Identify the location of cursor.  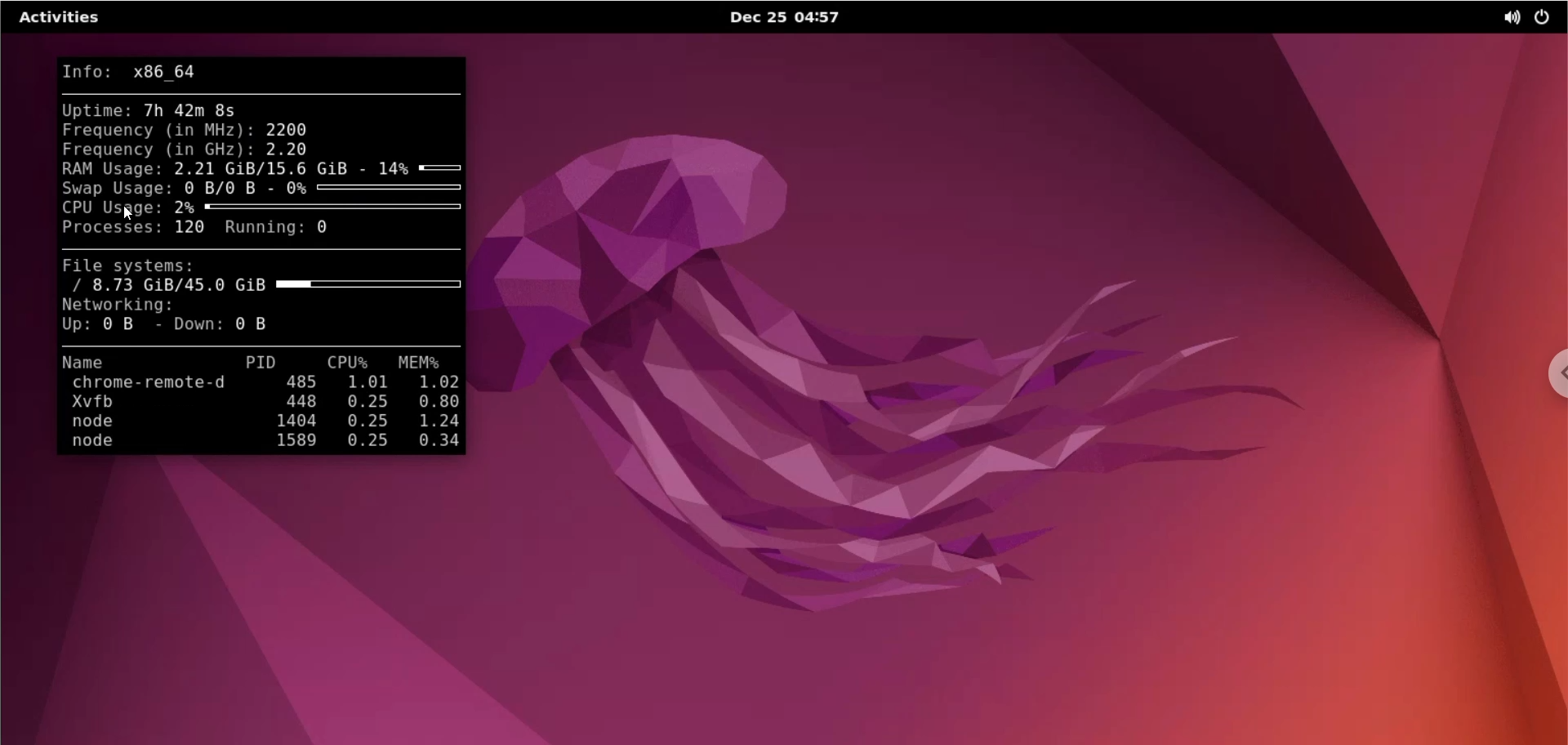
(129, 213).